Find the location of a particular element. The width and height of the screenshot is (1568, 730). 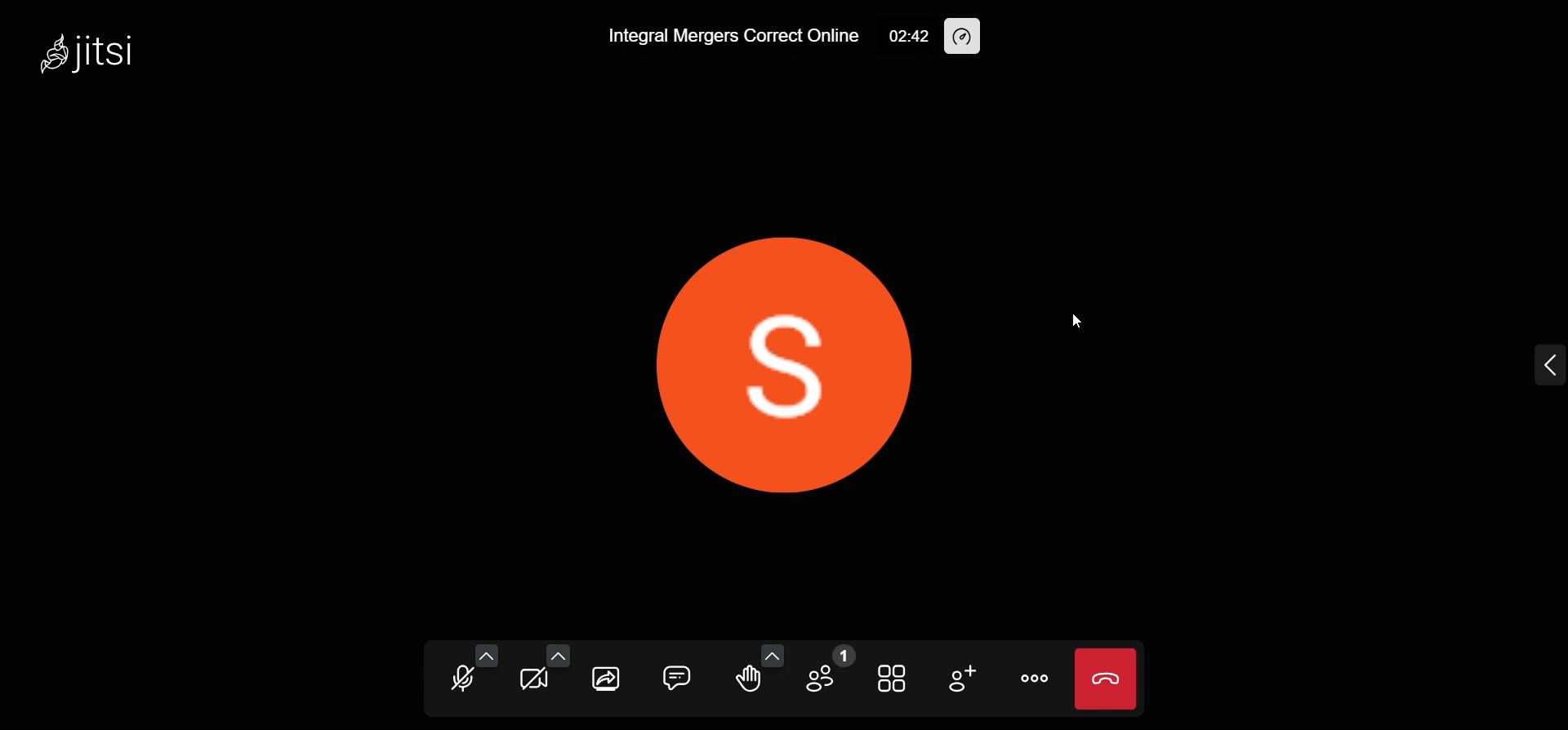

share your screen is located at coordinates (608, 680).